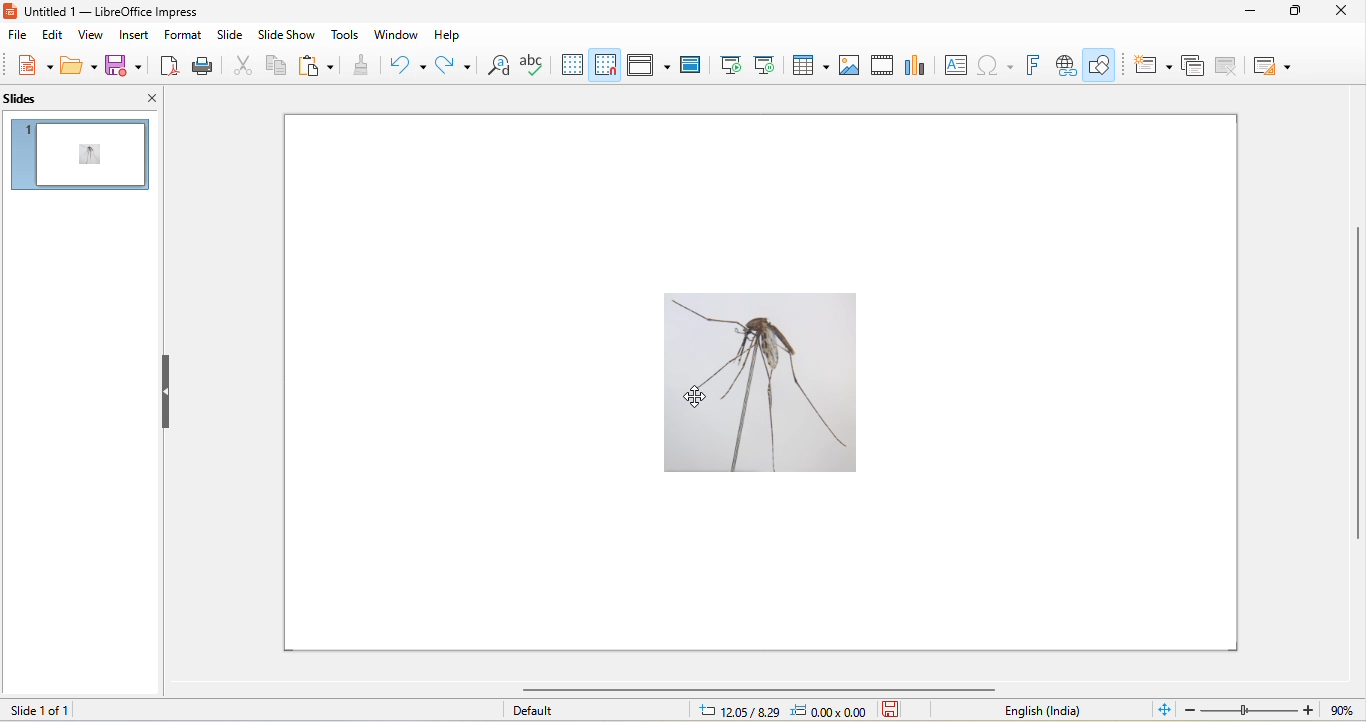  Describe the element at coordinates (761, 384) in the screenshot. I see `image` at that location.